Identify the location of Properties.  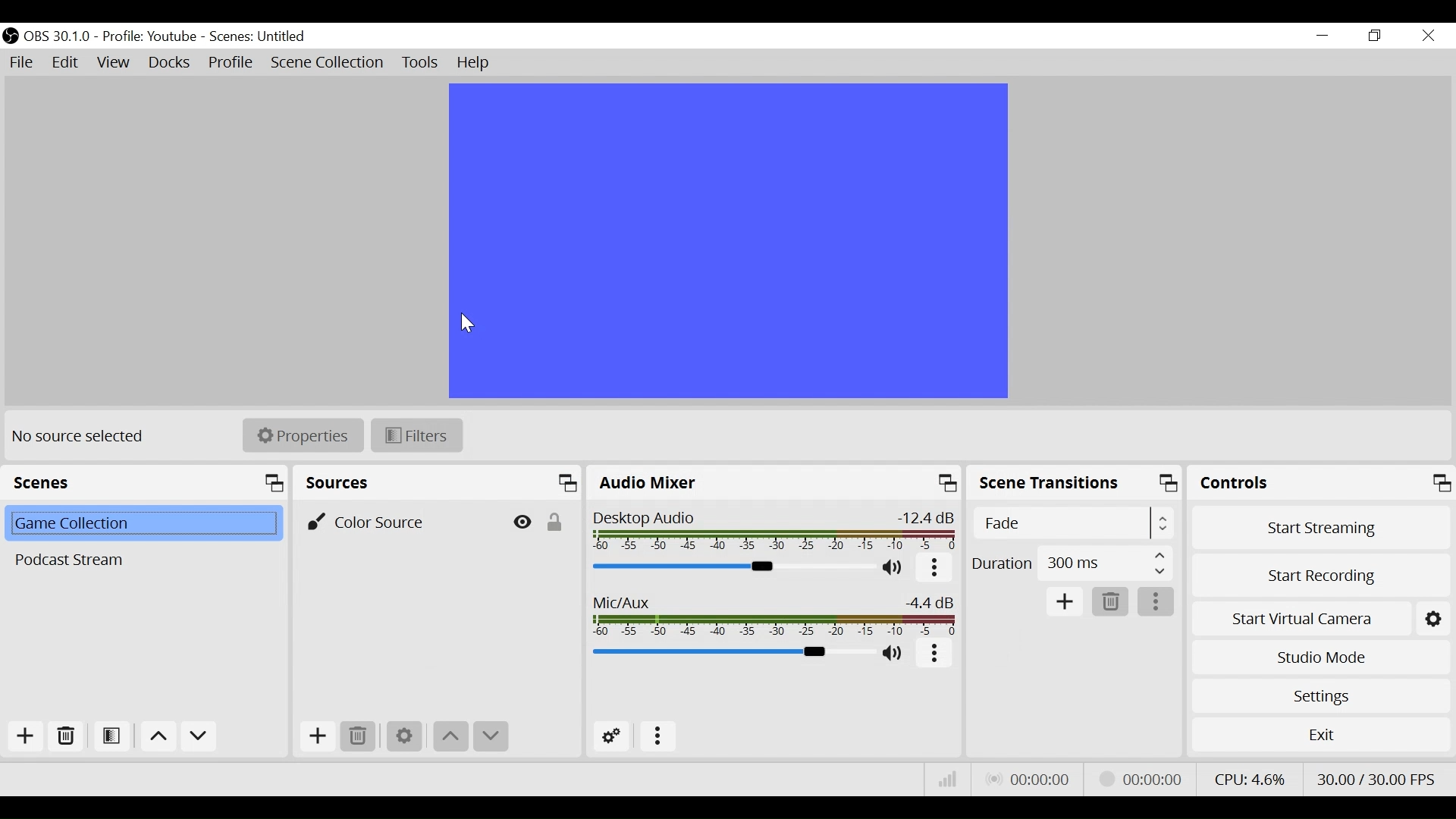
(303, 435).